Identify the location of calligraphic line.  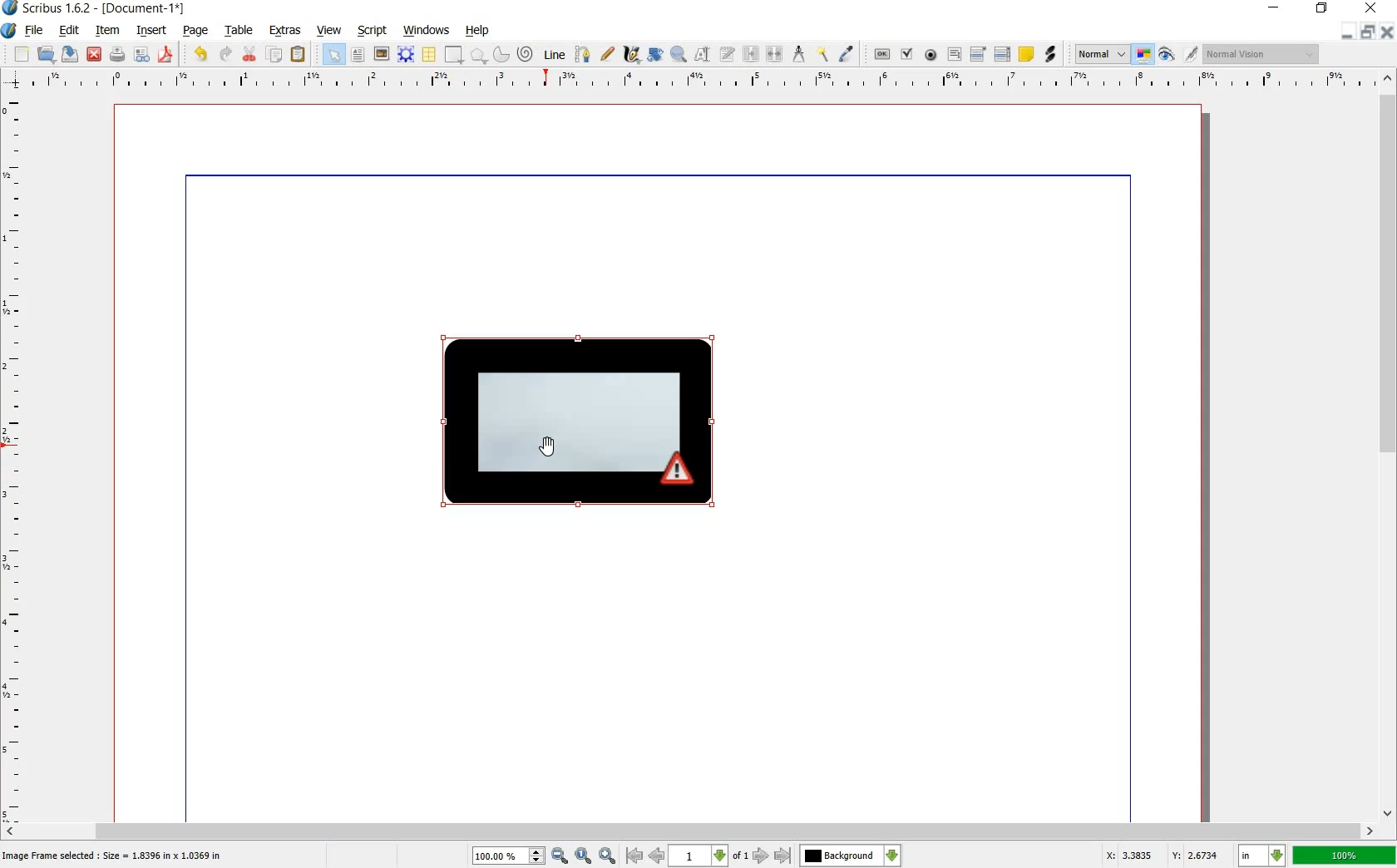
(631, 55).